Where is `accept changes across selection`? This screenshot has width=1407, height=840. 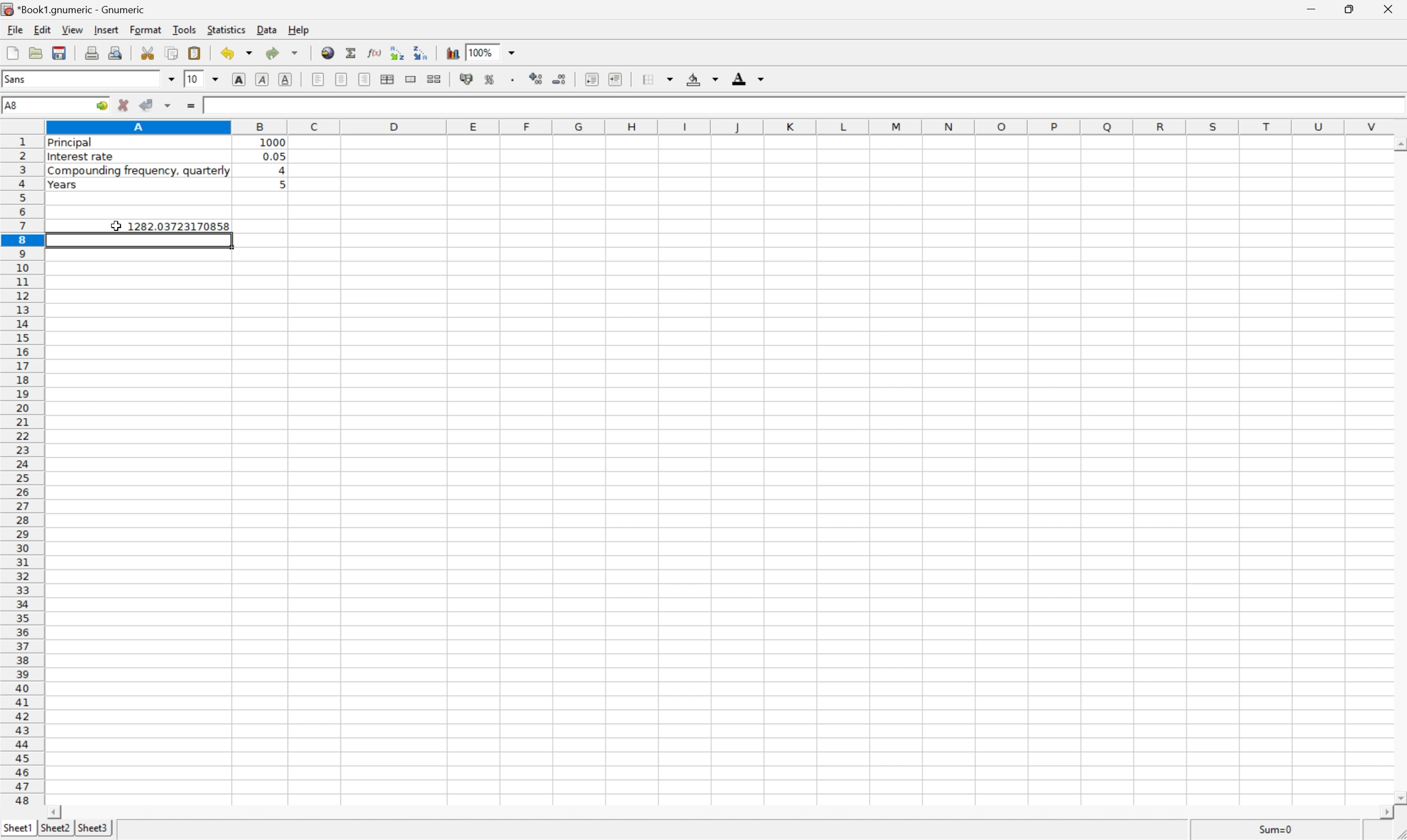
accept changes across selection is located at coordinates (168, 105).